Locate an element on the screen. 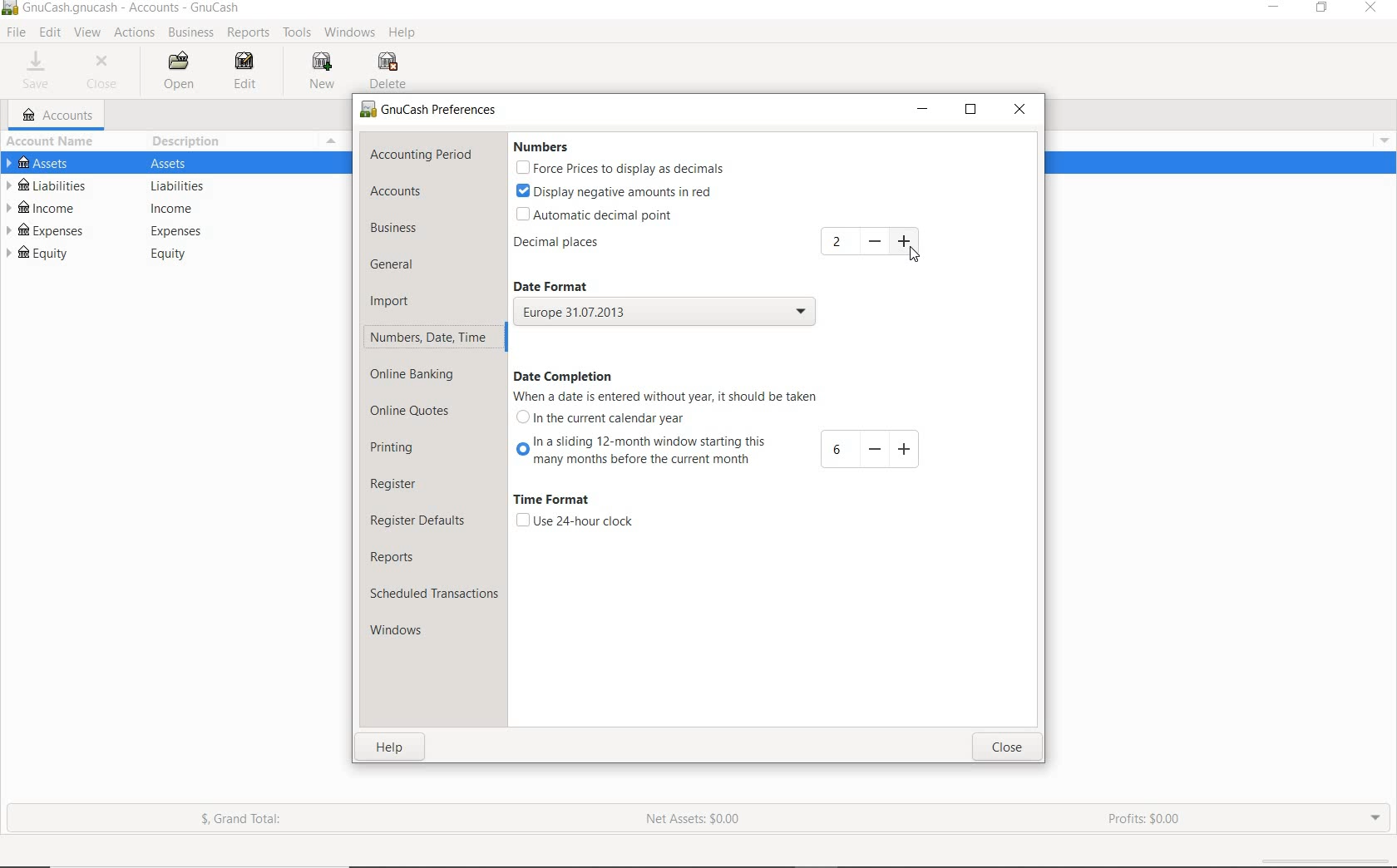 This screenshot has width=1397, height=868. force prices to display as decimal is located at coordinates (619, 168).